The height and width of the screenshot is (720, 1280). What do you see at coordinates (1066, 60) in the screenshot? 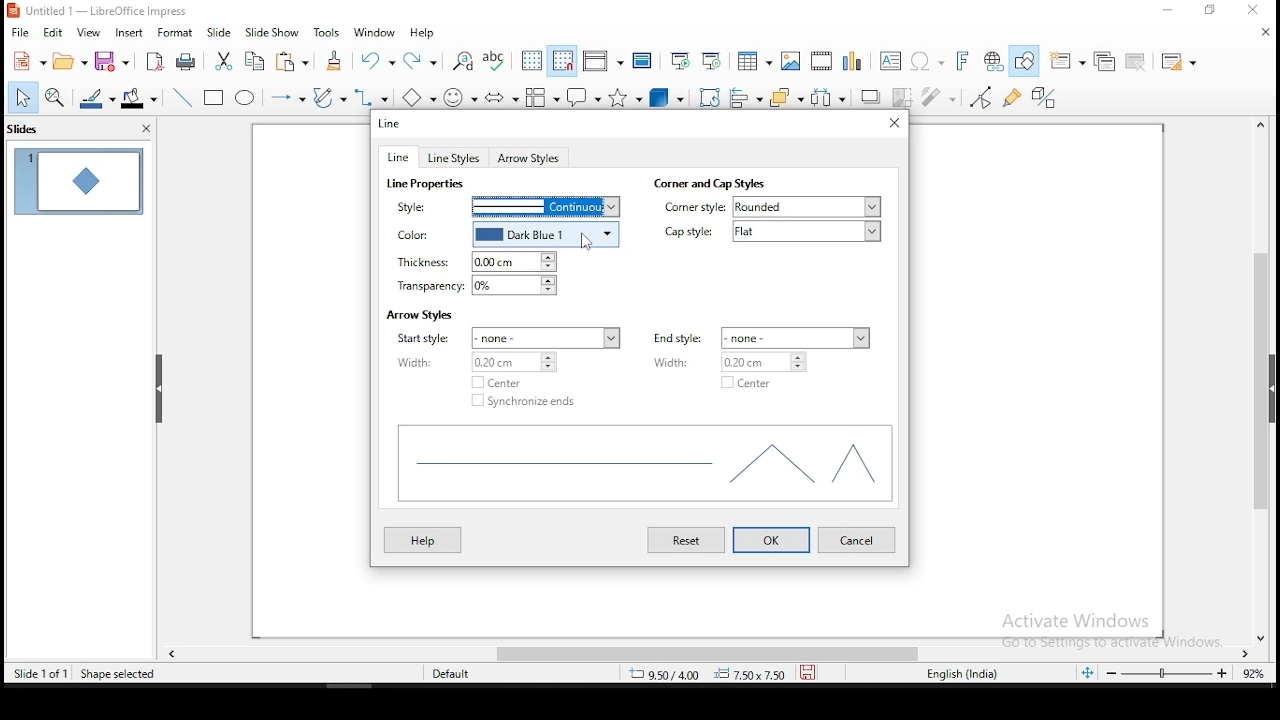
I see `new slide` at bounding box center [1066, 60].